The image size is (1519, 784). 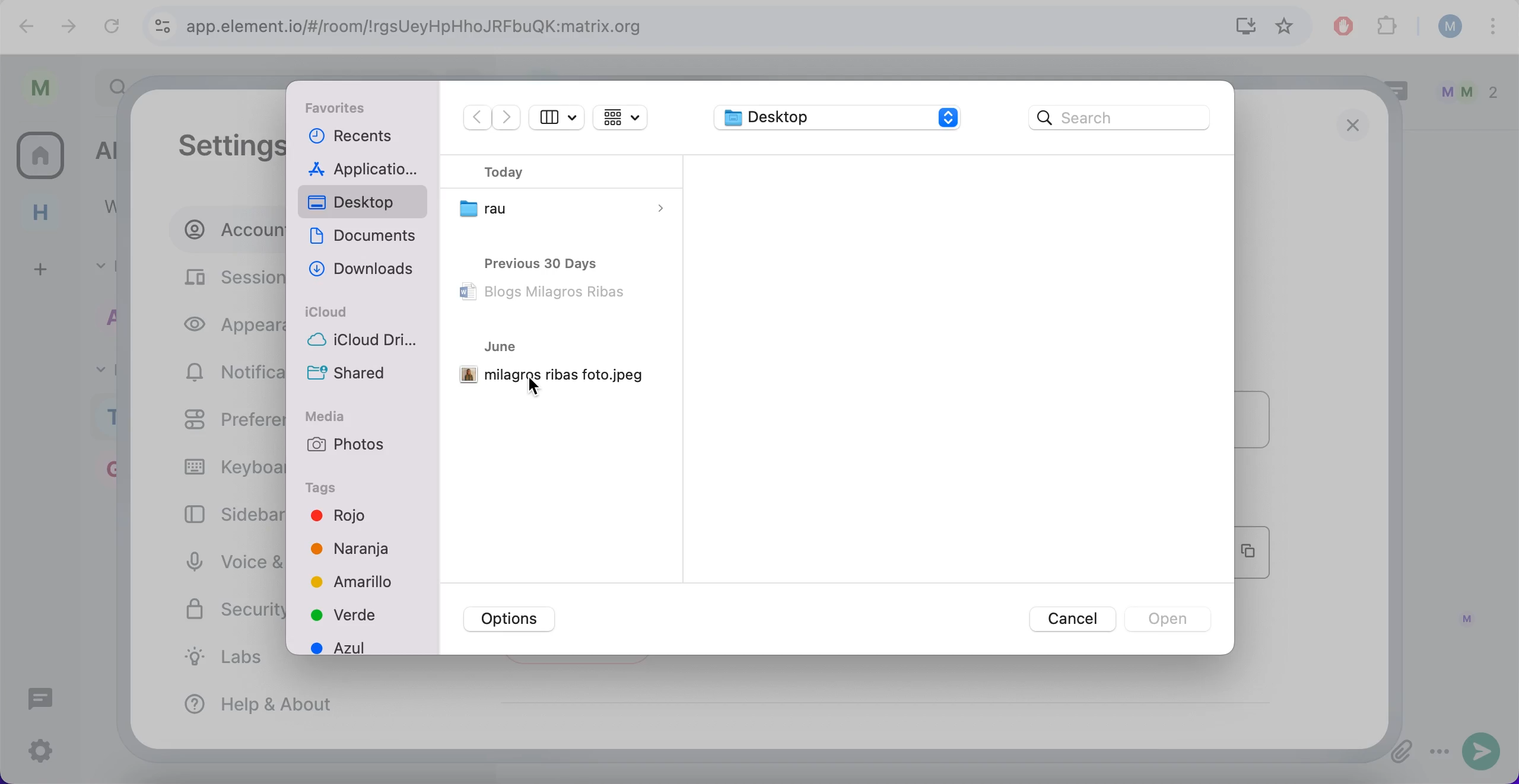 I want to click on user, so click(x=1446, y=29).